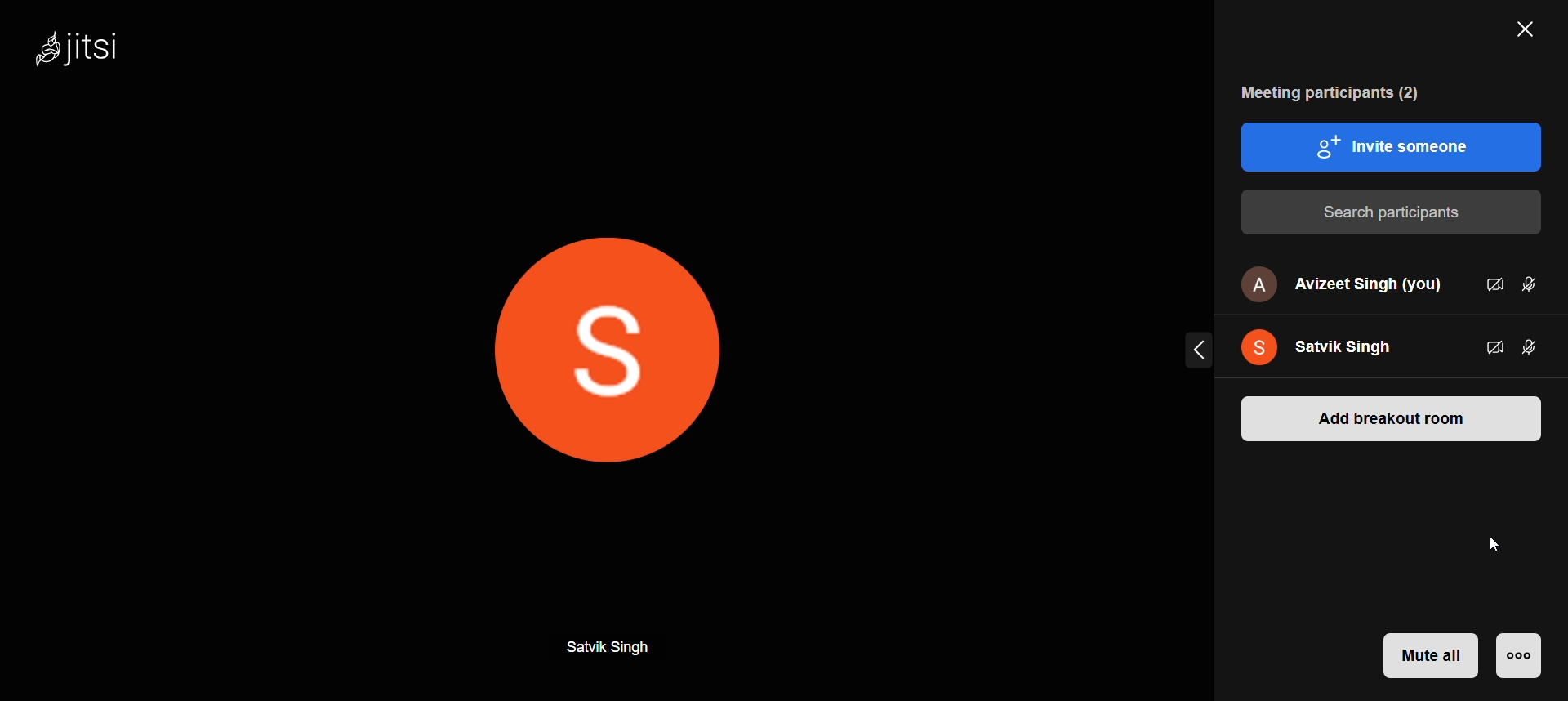 The height and width of the screenshot is (701, 1568). What do you see at coordinates (612, 646) in the screenshot?
I see `Satvik Singh` at bounding box center [612, 646].